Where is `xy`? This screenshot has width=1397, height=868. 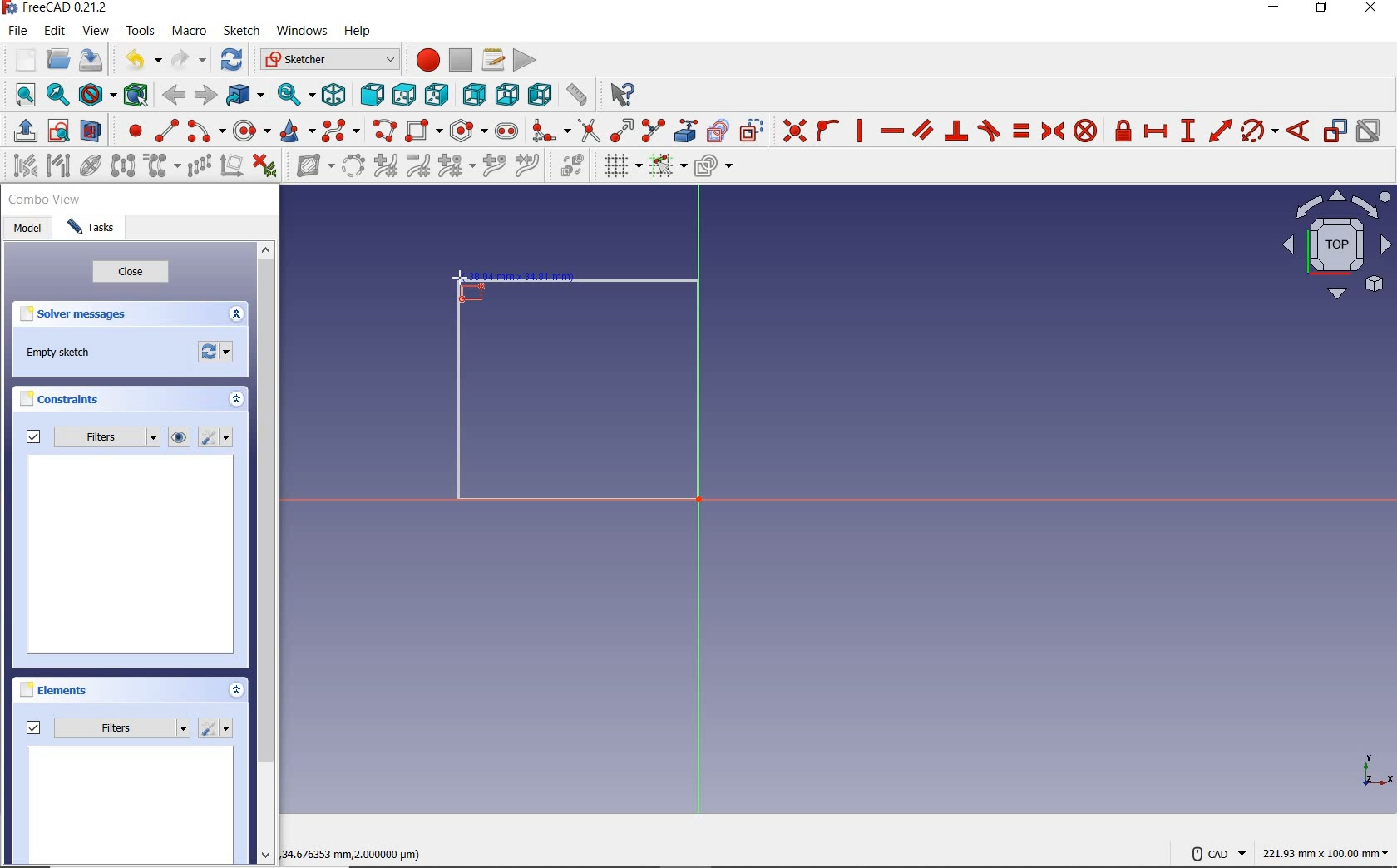 xy is located at coordinates (1366, 769).